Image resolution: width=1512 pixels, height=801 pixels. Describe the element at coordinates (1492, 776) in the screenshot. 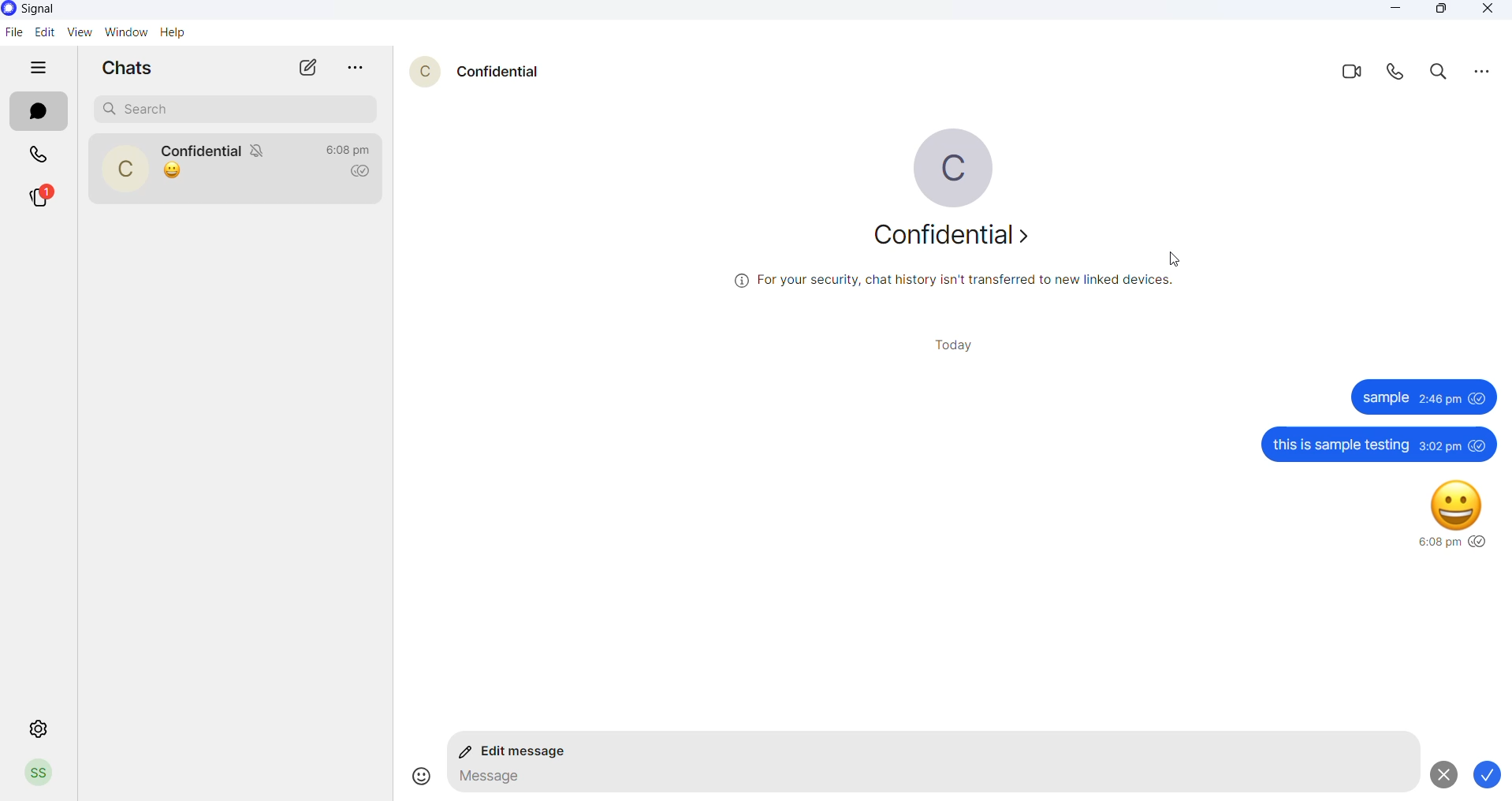

I see `ok` at that location.